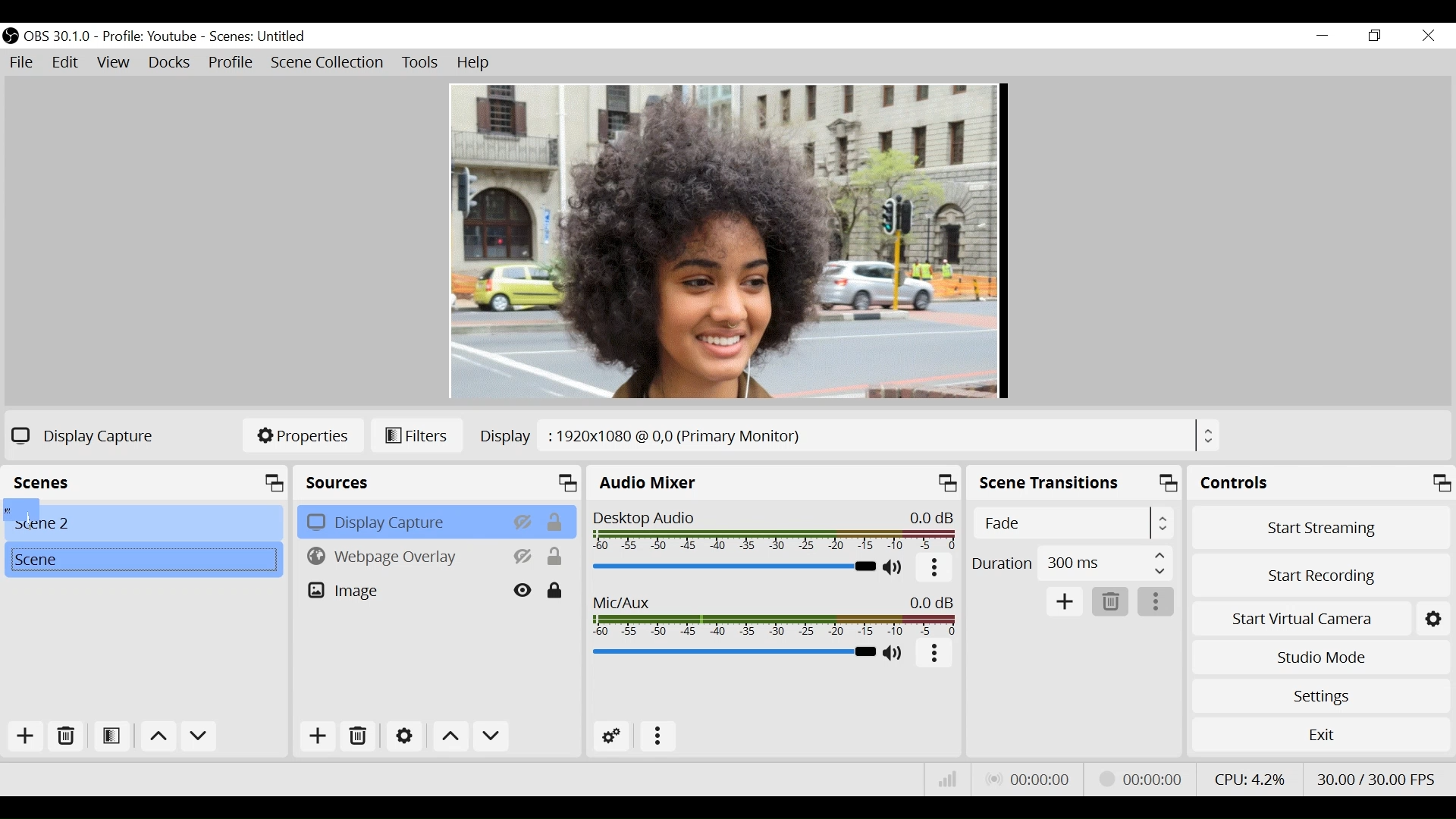 This screenshot has width=1456, height=819. What do you see at coordinates (1109, 601) in the screenshot?
I see `Delete` at bounding box center [1109, 601].